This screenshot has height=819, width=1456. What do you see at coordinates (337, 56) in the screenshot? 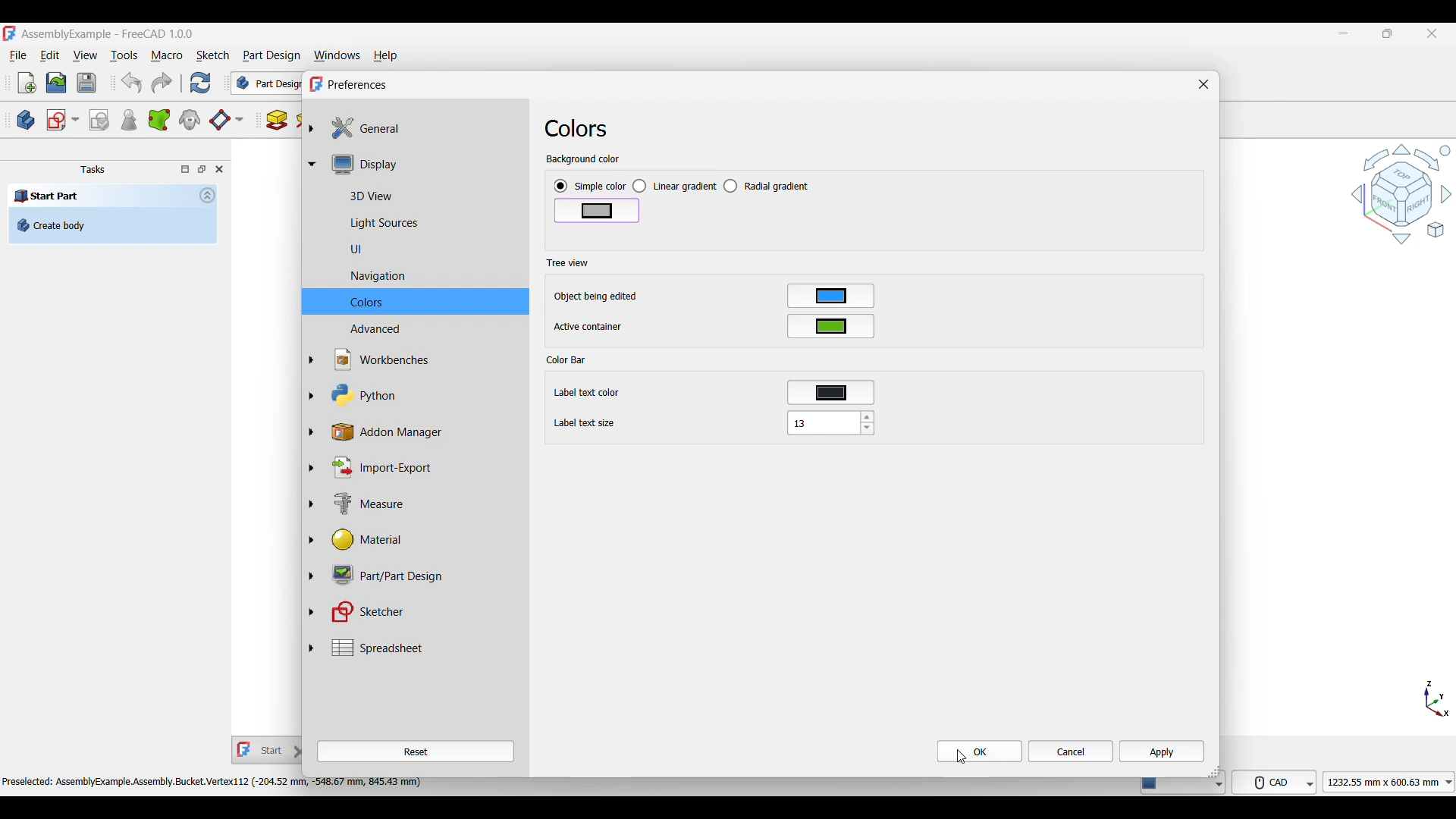
I see `Windows menu` at bounding box center [337, 56].